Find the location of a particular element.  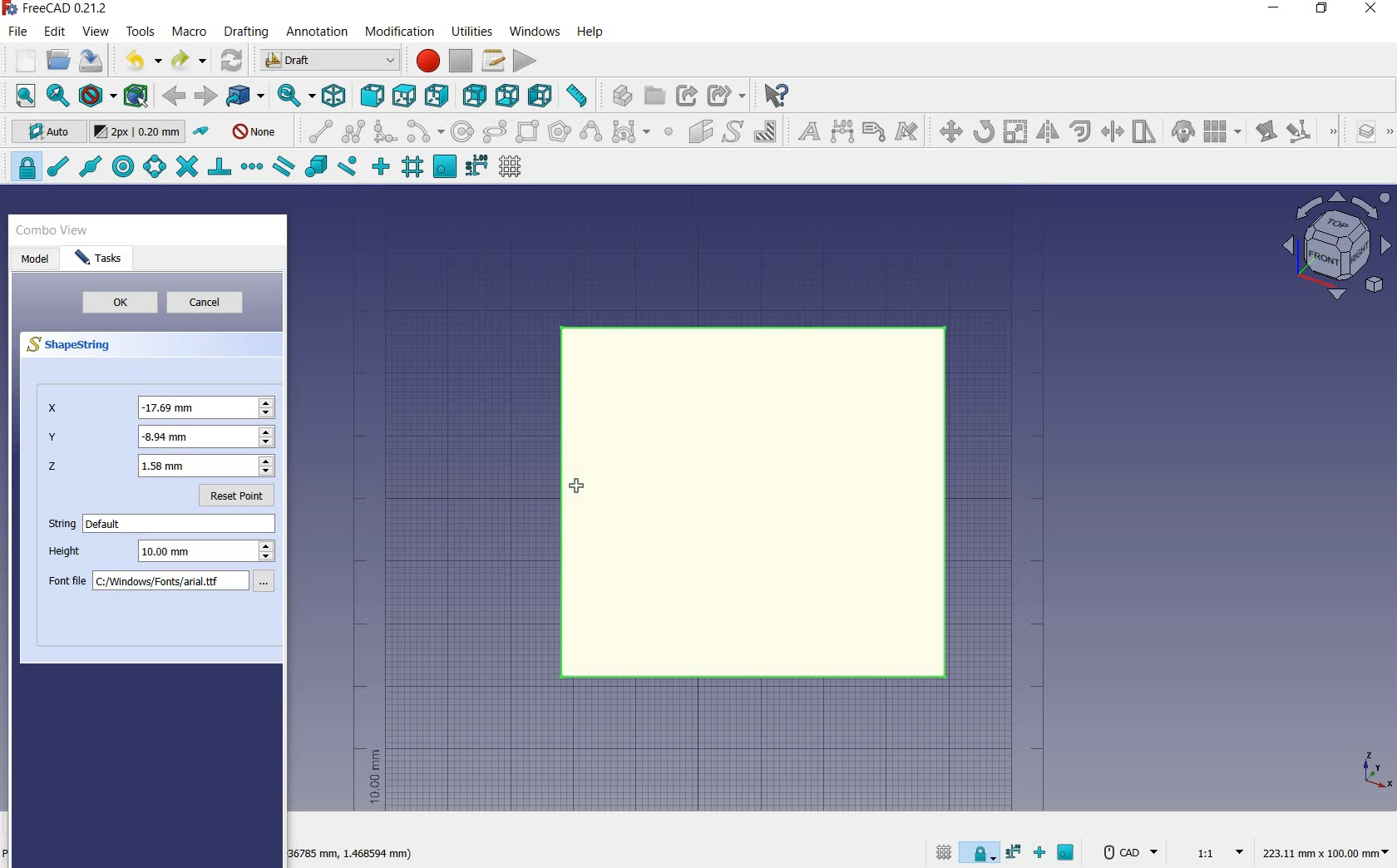

front is located at coordinates (369, 96).